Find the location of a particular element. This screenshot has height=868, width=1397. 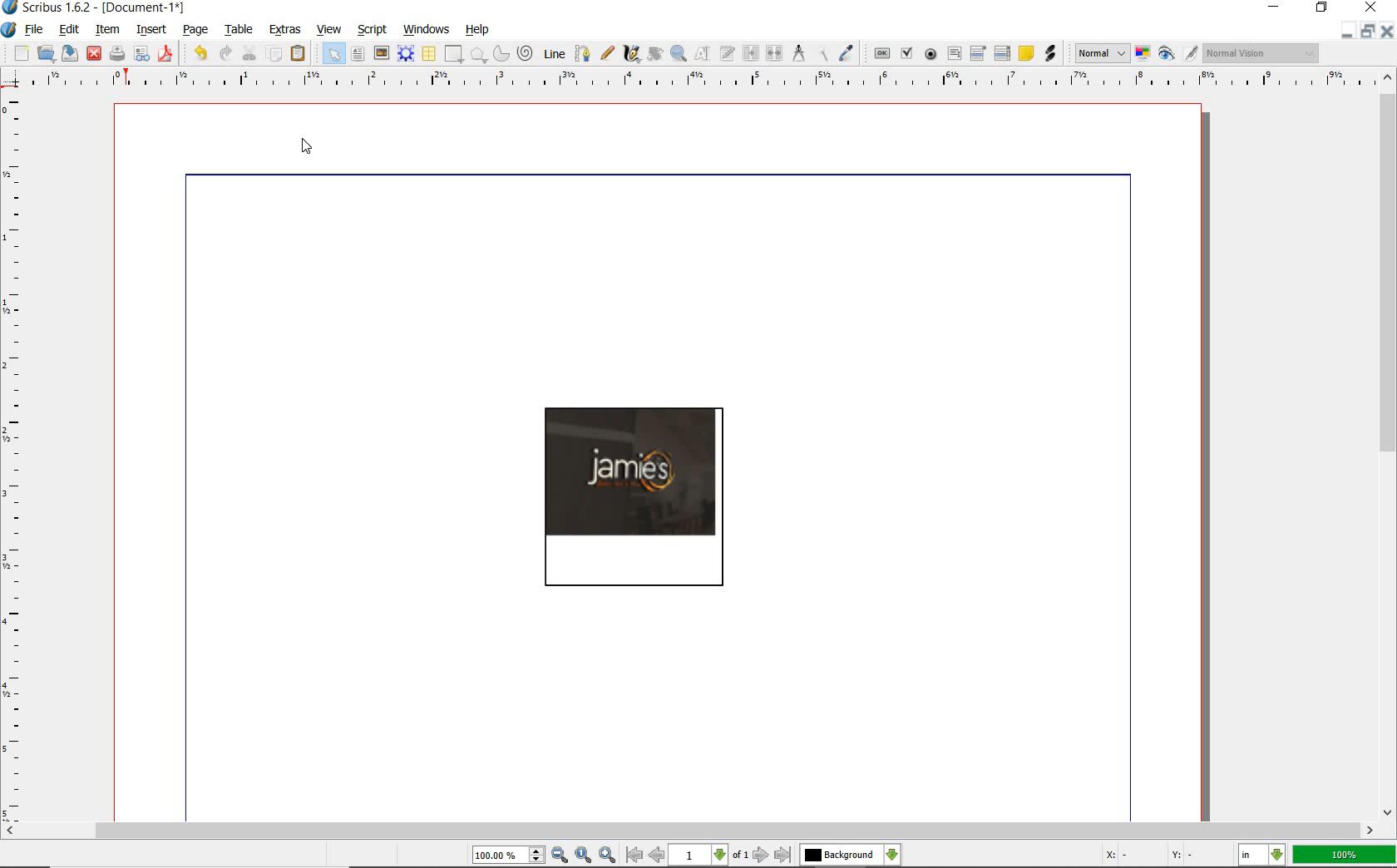

image frame is located at coordinates (381, 54).